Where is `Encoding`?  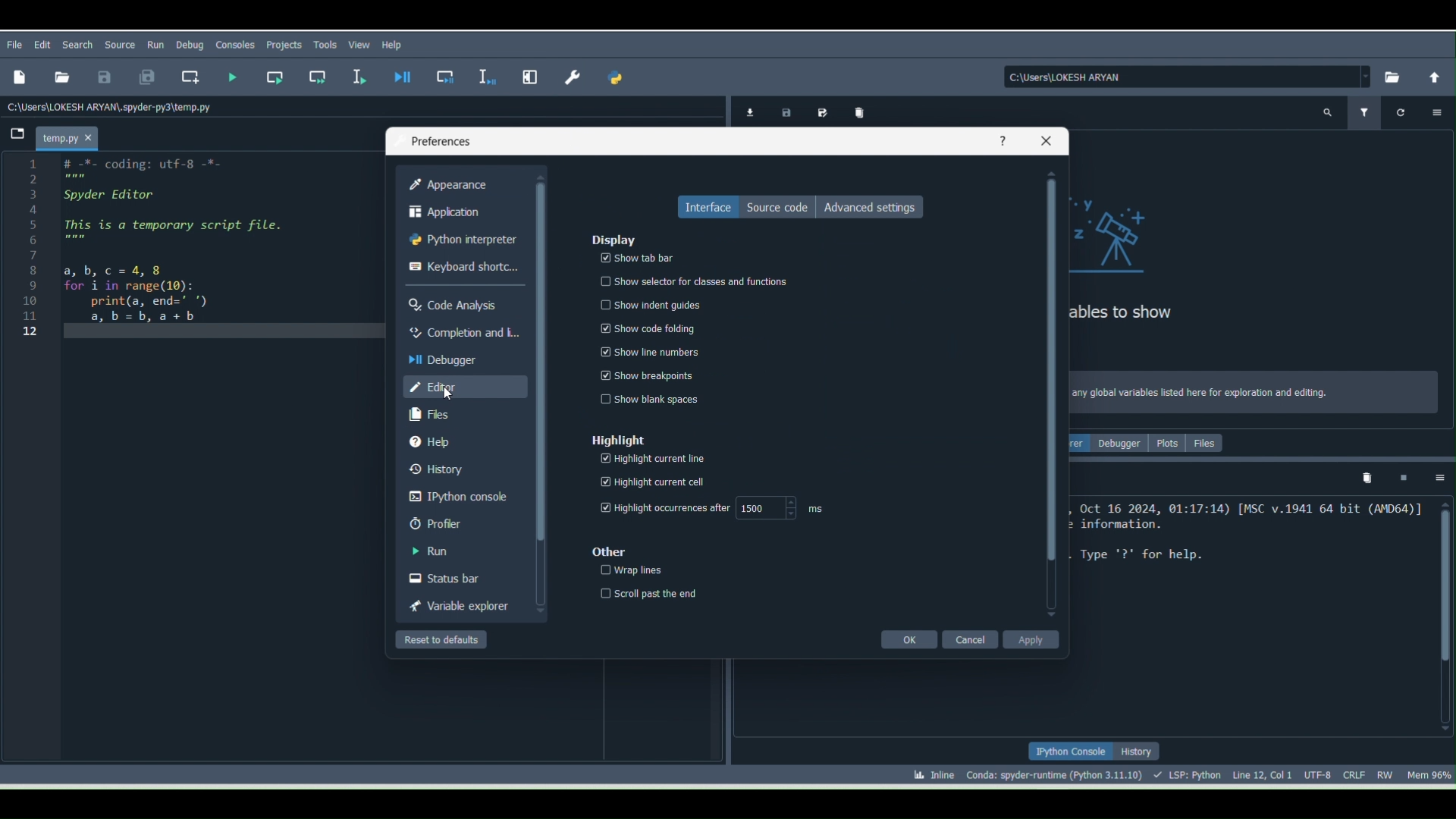
Encoding is located at coordinates (1321, 773).